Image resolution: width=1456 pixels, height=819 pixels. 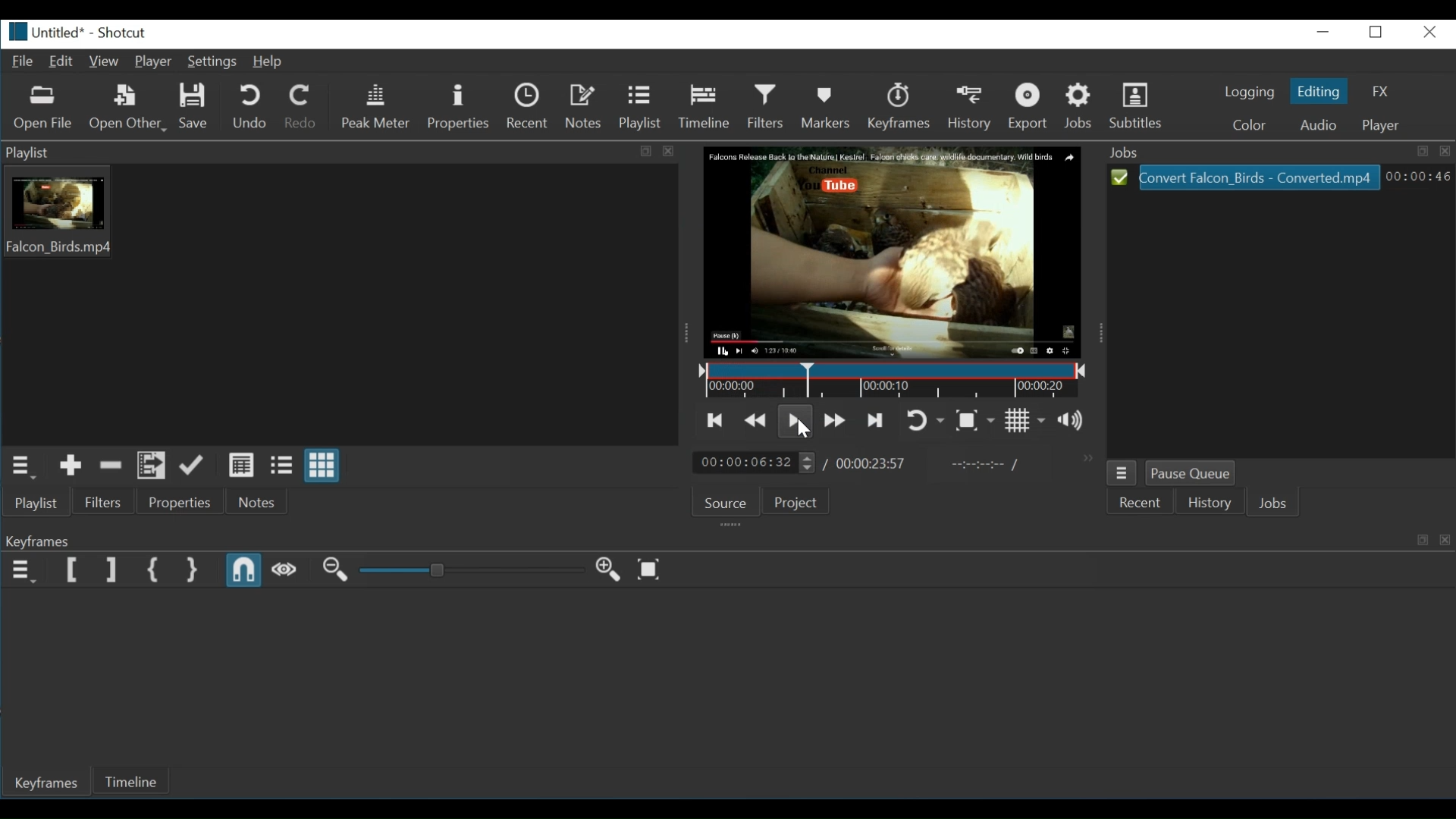 What do you see at coordinates (755, 463) in the screenshot?
I see `00:00:04:32` at bounding box center [755, 463].